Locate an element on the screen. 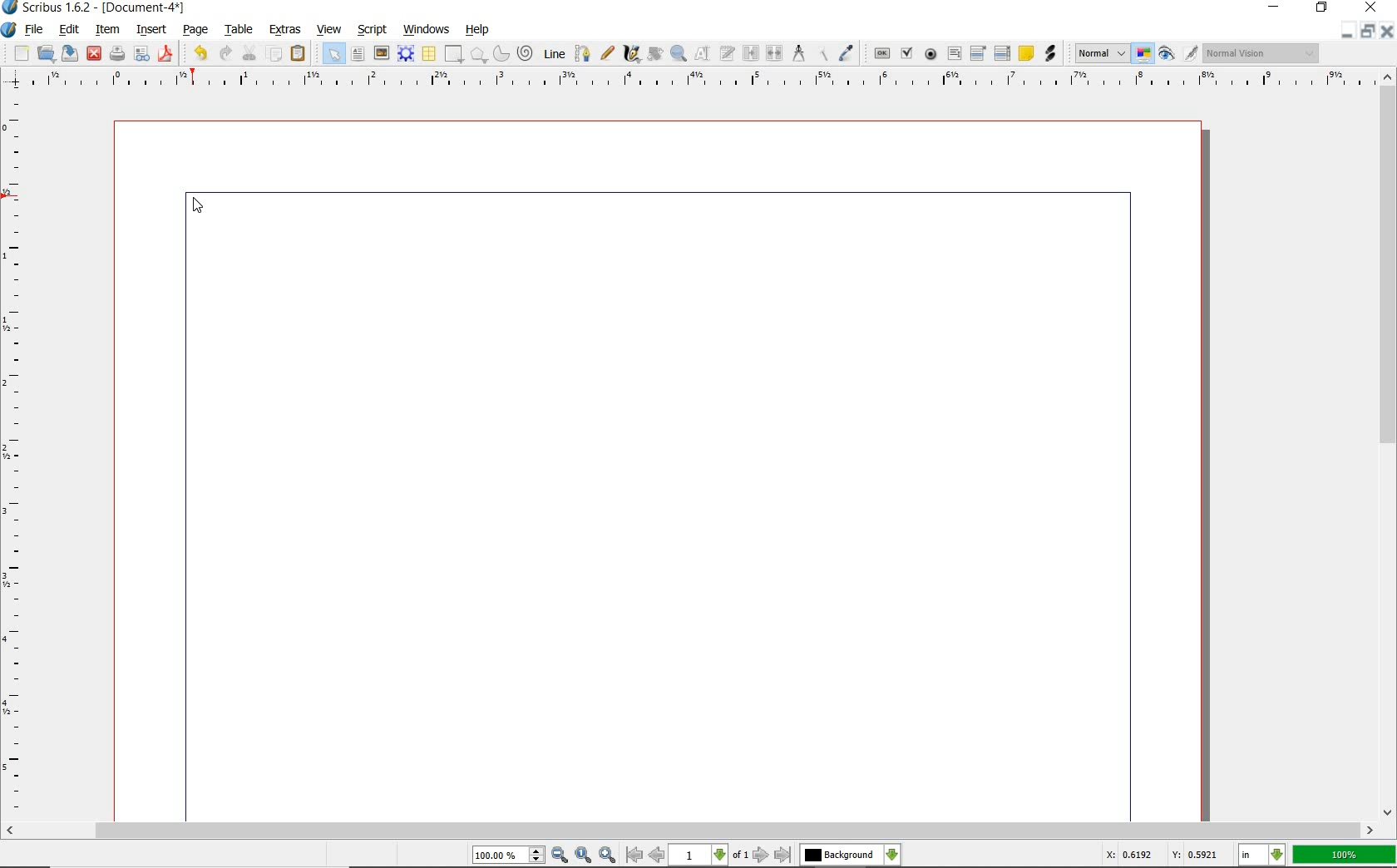 This screenshot has width=1397, height=868. view is located at coordinates (329, 30).